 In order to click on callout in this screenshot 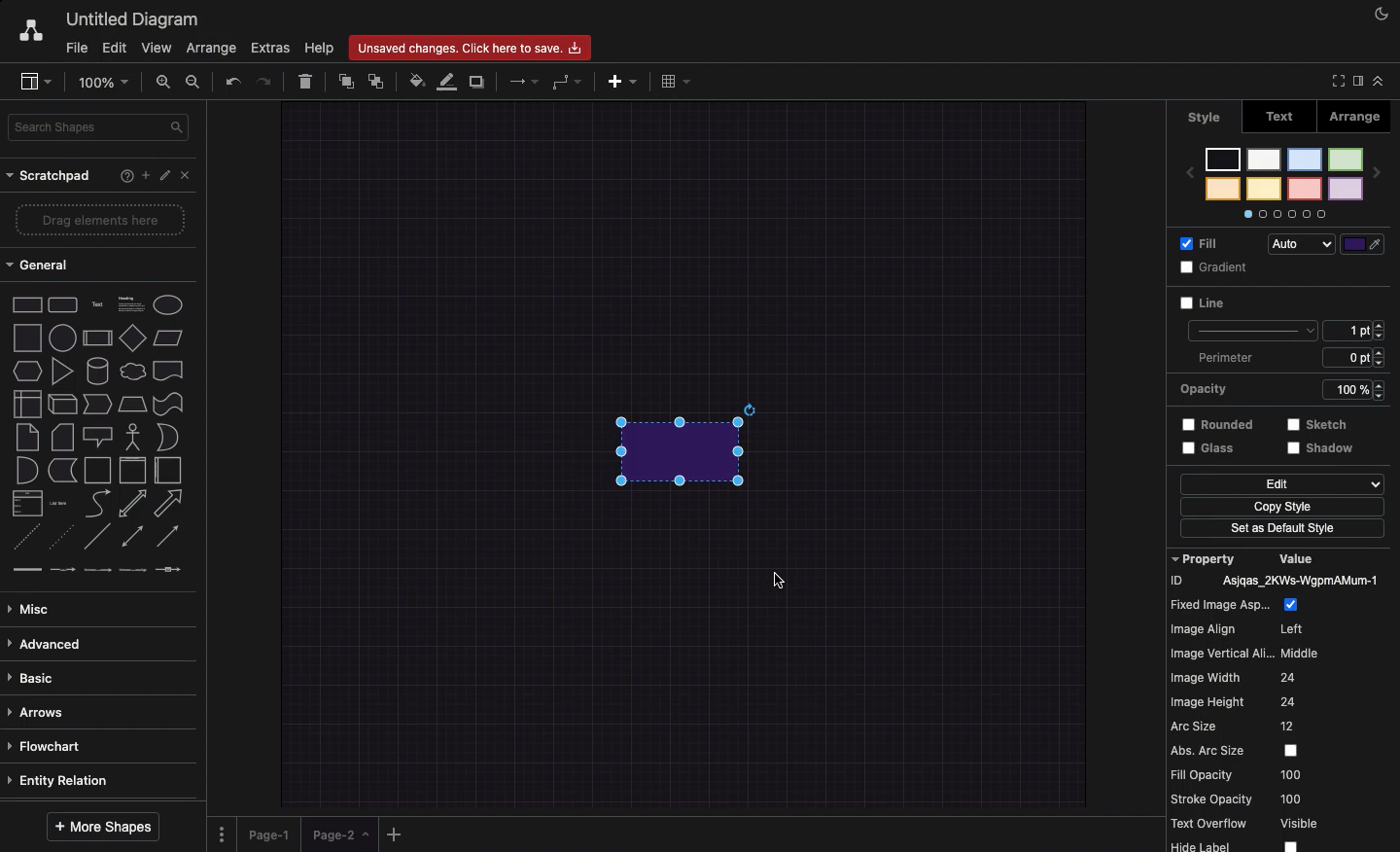, I will do `click(96, 437)`.